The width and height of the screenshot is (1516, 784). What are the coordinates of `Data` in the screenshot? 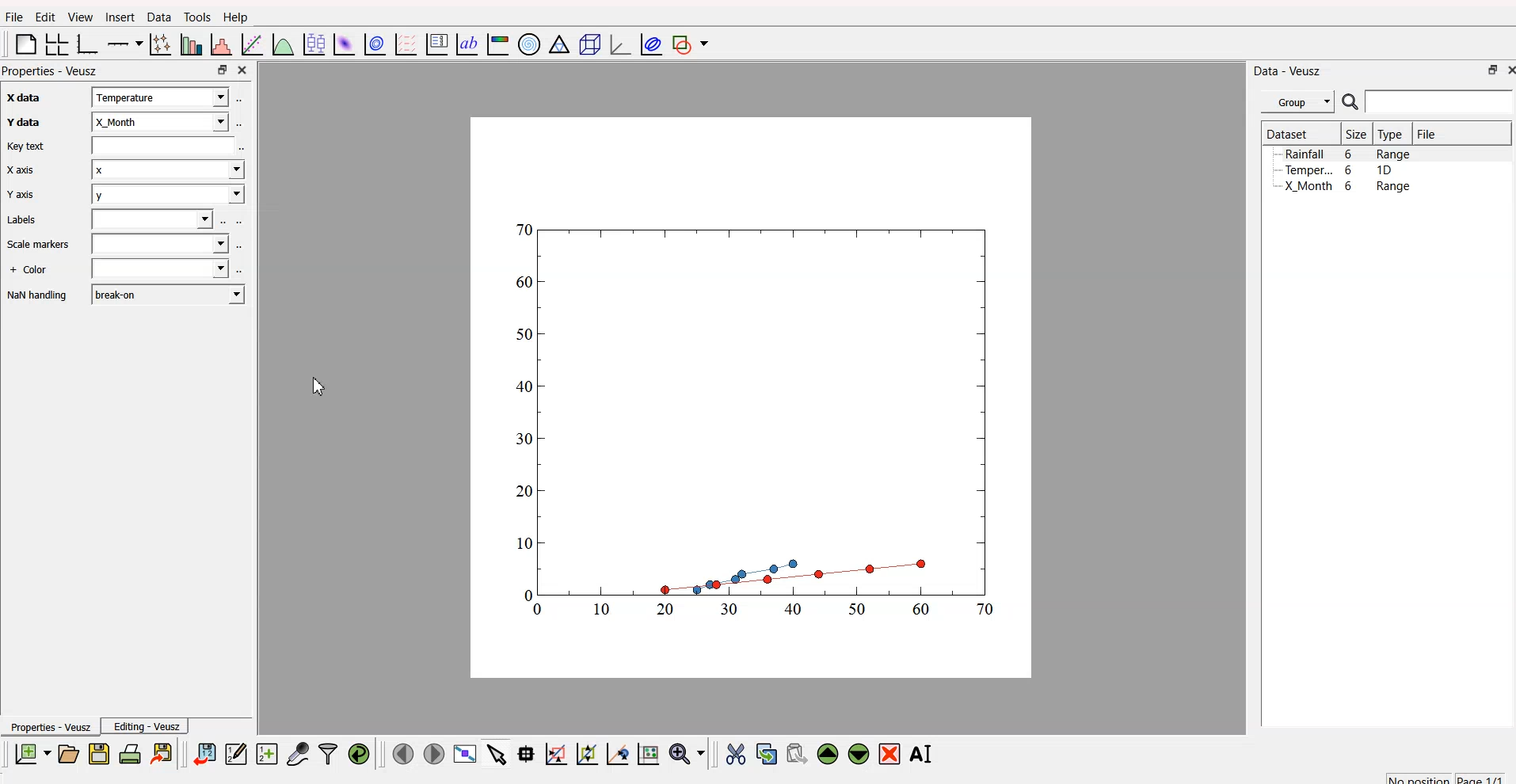 It's located at (156, 18).